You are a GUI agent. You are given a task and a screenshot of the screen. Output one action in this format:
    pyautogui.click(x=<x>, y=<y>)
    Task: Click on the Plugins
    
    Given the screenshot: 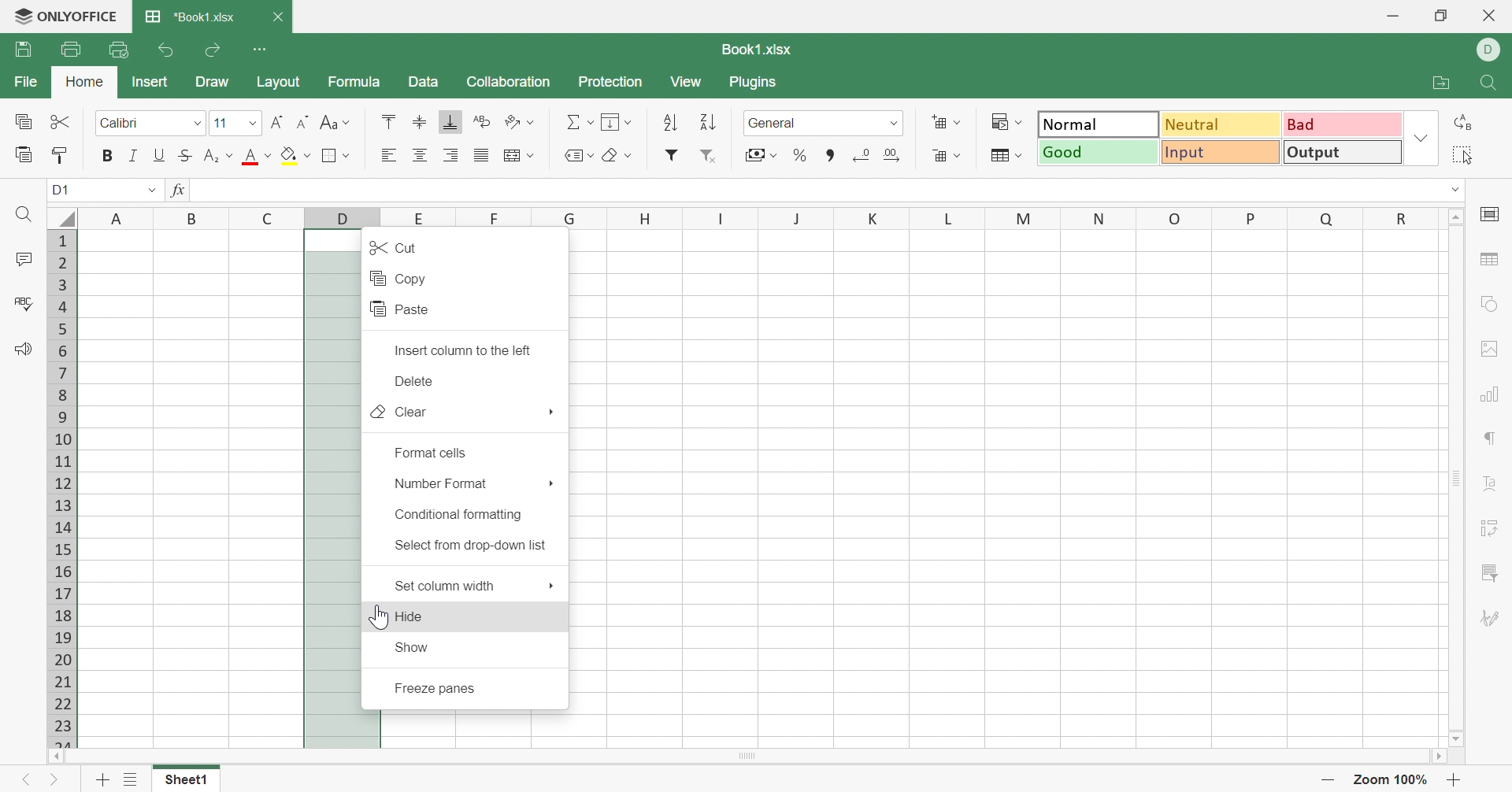 What is the action you would take?
    pyautogui.click(x=754, y=85)
    